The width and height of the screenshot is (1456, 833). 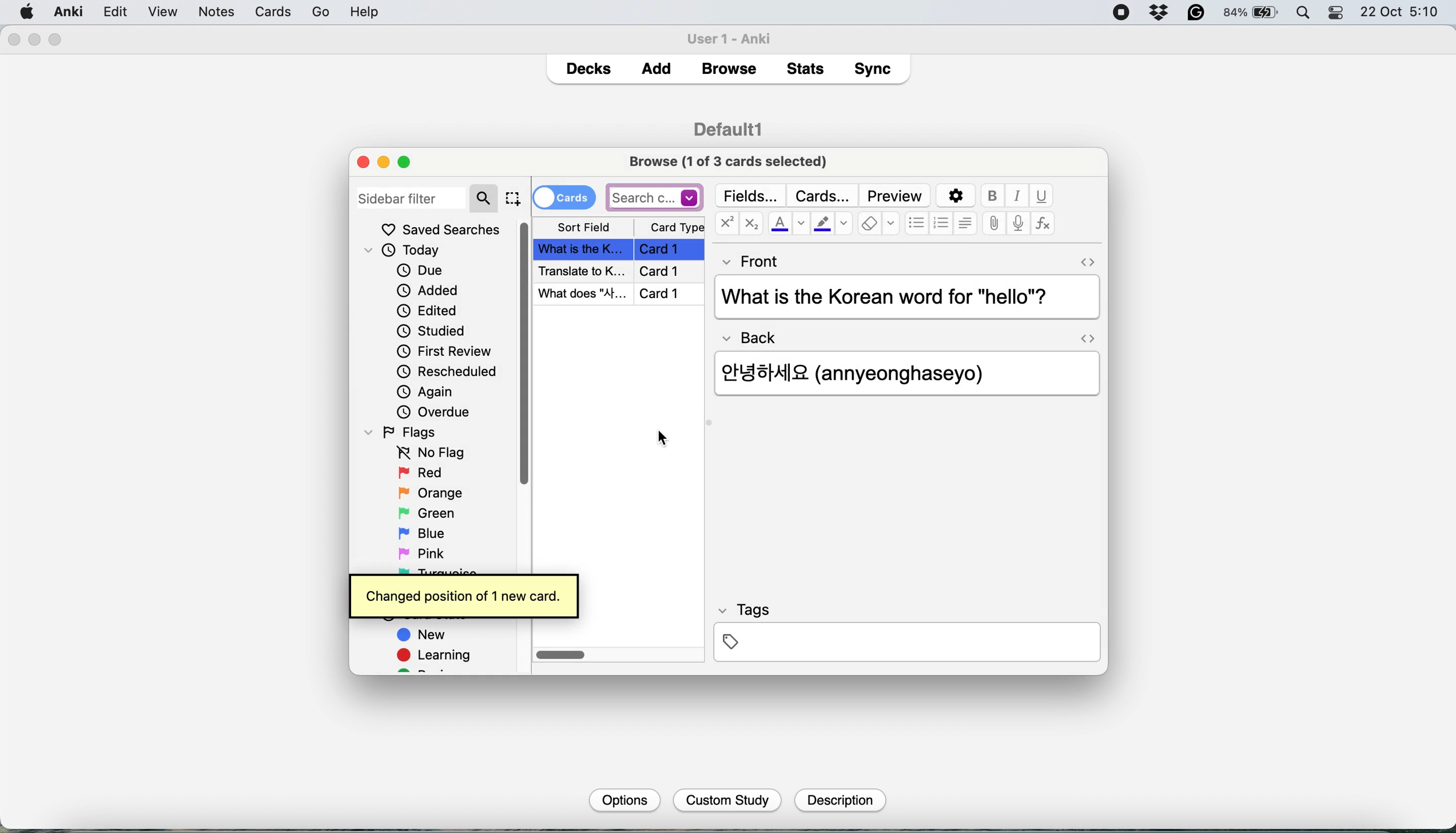 I want to click on superscript, so click(x=726, y=225).